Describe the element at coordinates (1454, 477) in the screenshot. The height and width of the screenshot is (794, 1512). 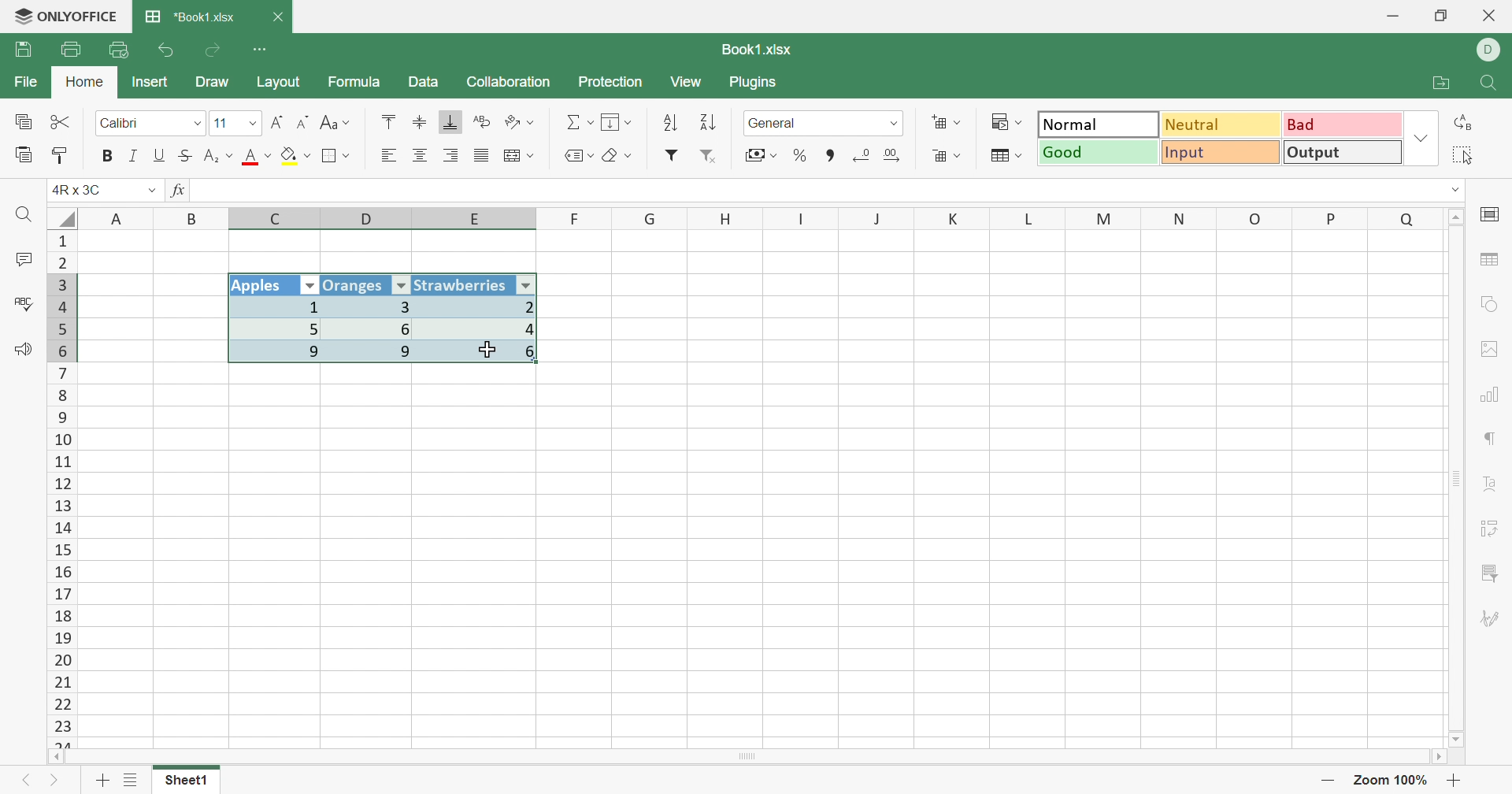
I see `vertical scroll Bar` at that location.